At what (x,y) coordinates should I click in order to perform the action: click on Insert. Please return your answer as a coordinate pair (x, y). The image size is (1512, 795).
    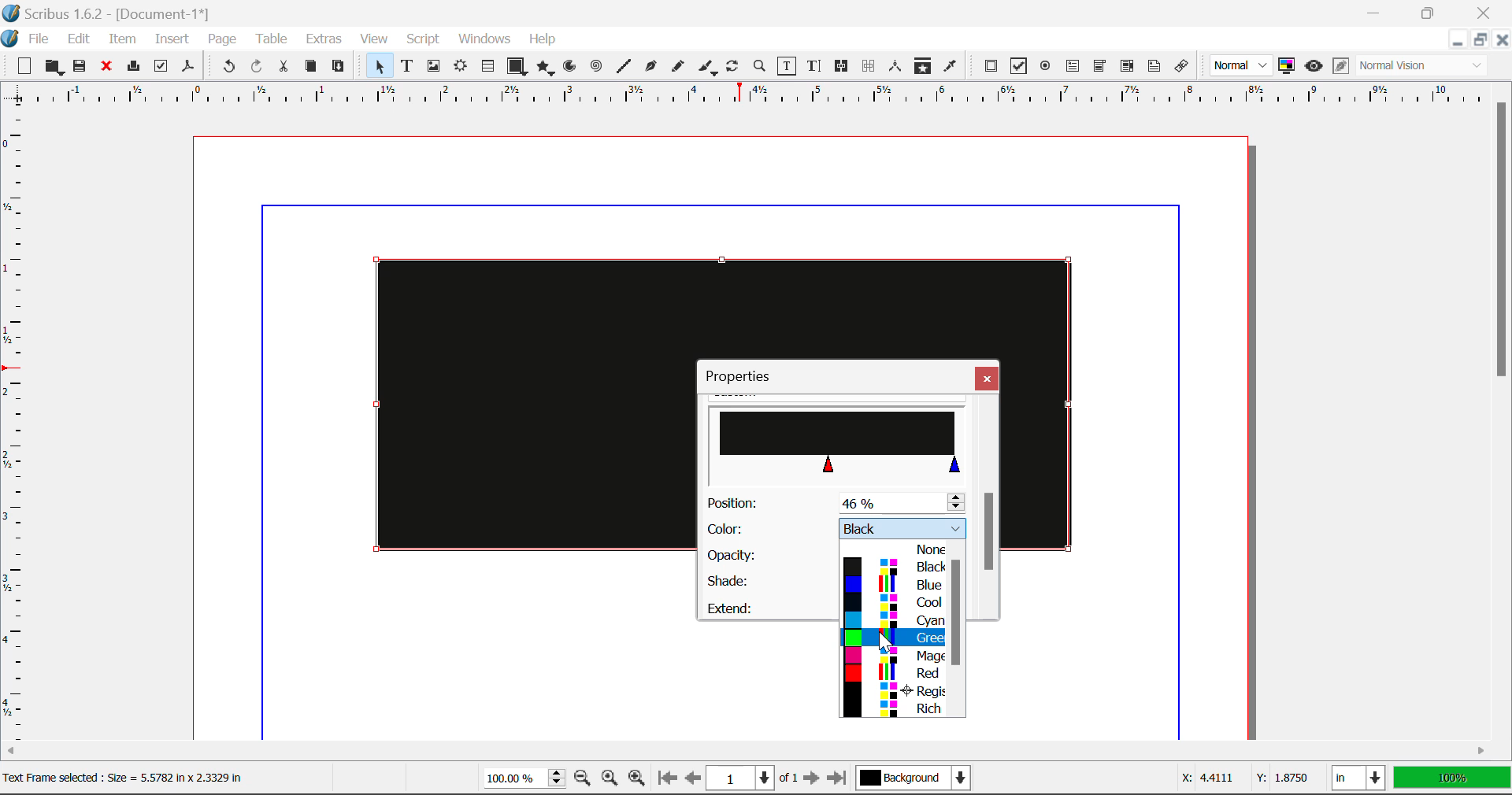
    Looking at the image, I should click on (170, 42).